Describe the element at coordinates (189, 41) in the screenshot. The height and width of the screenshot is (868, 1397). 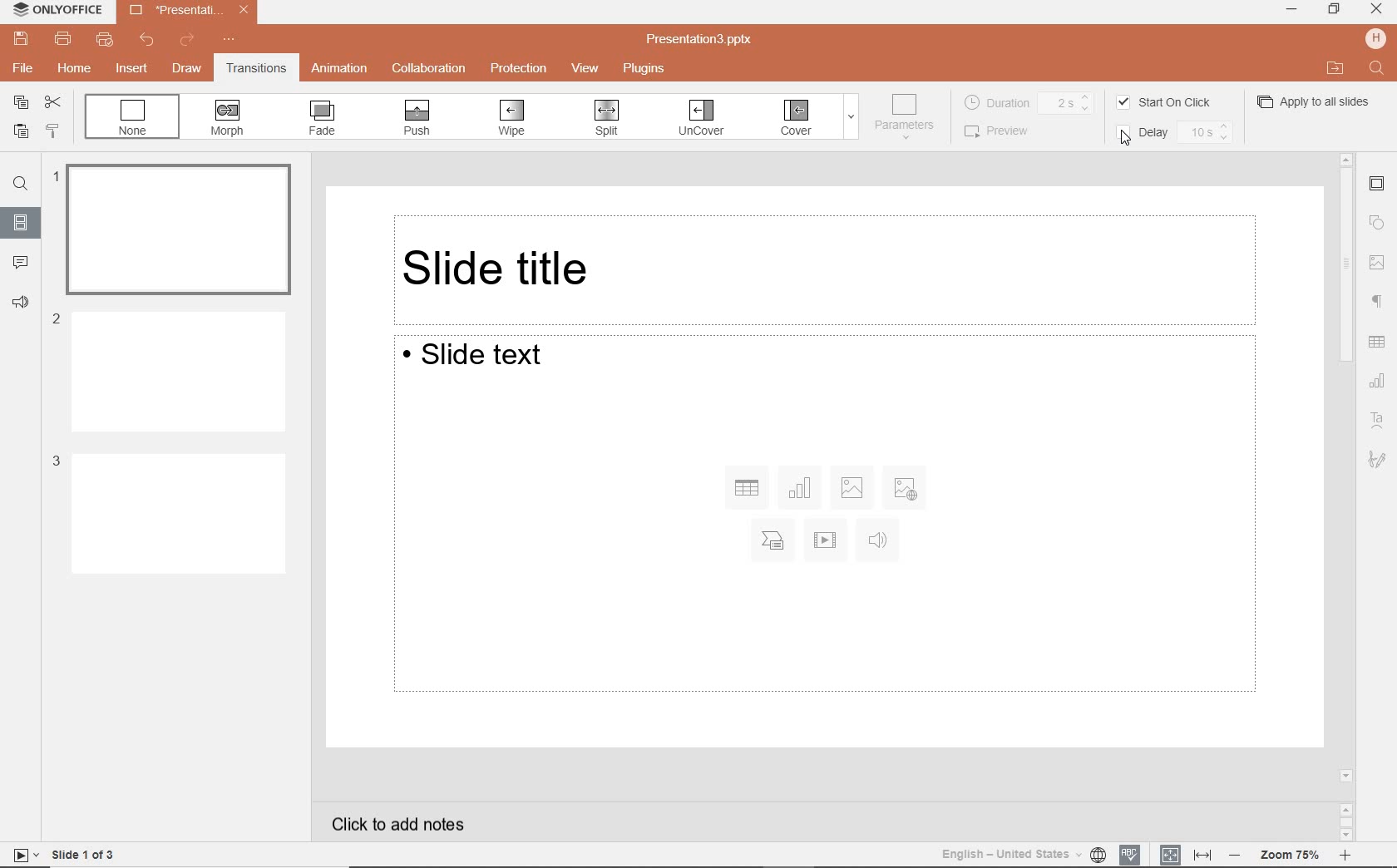
I see `redo` at that location.